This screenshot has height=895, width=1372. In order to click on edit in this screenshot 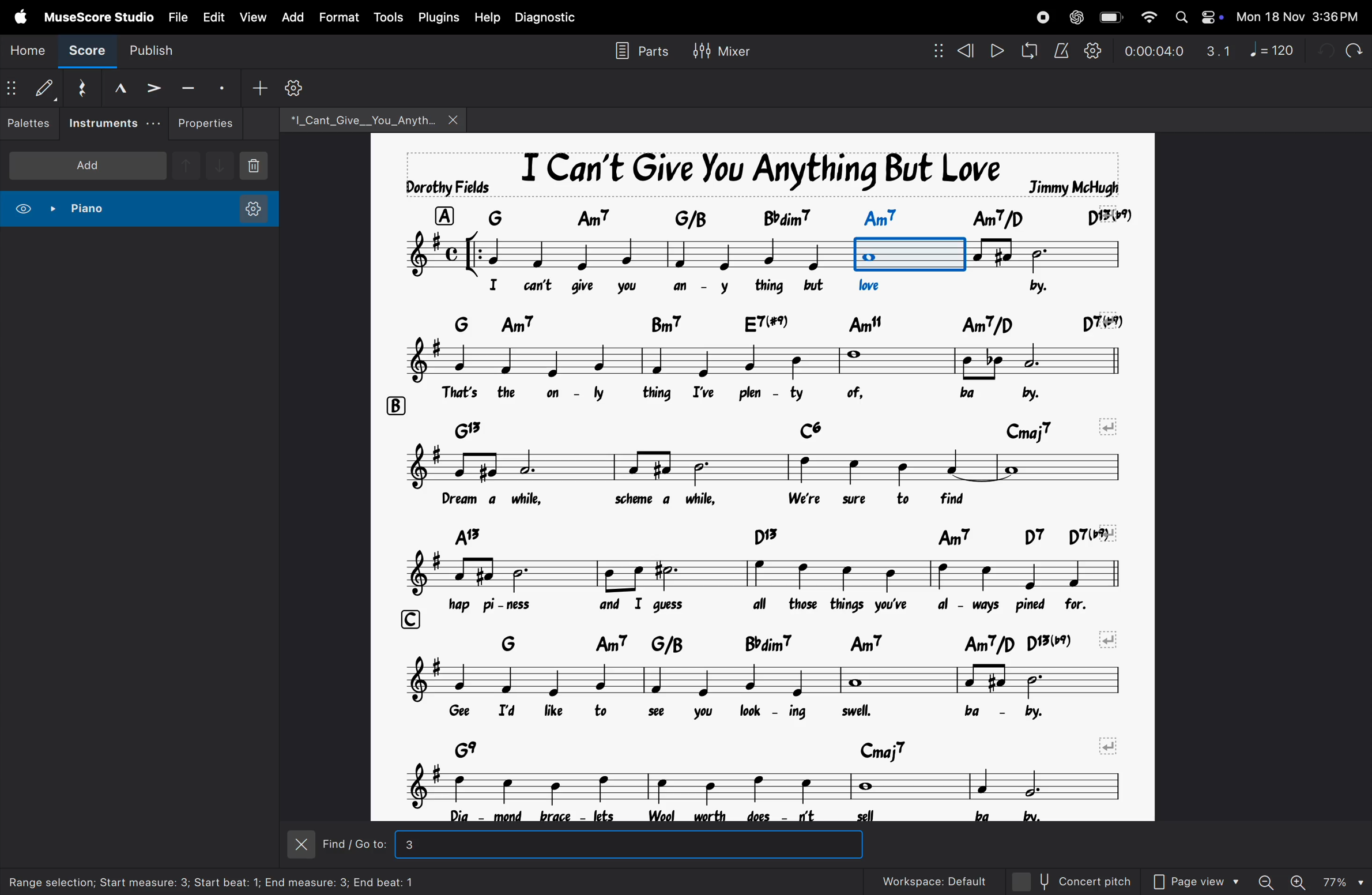, I will do `click(212, 14)`.